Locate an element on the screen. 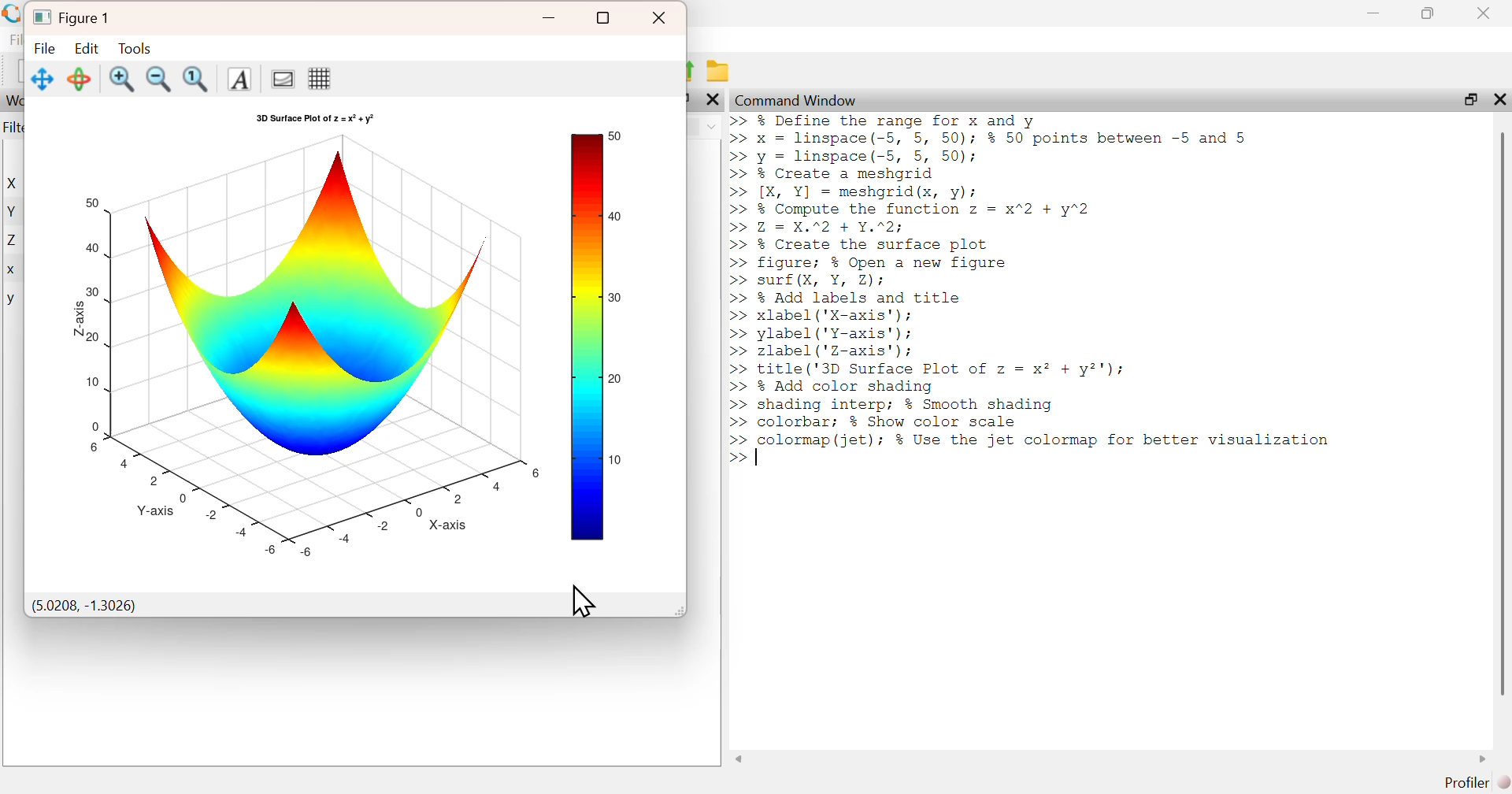 The image size is (1512, 794). Tools is located at coordinates (134, 47).